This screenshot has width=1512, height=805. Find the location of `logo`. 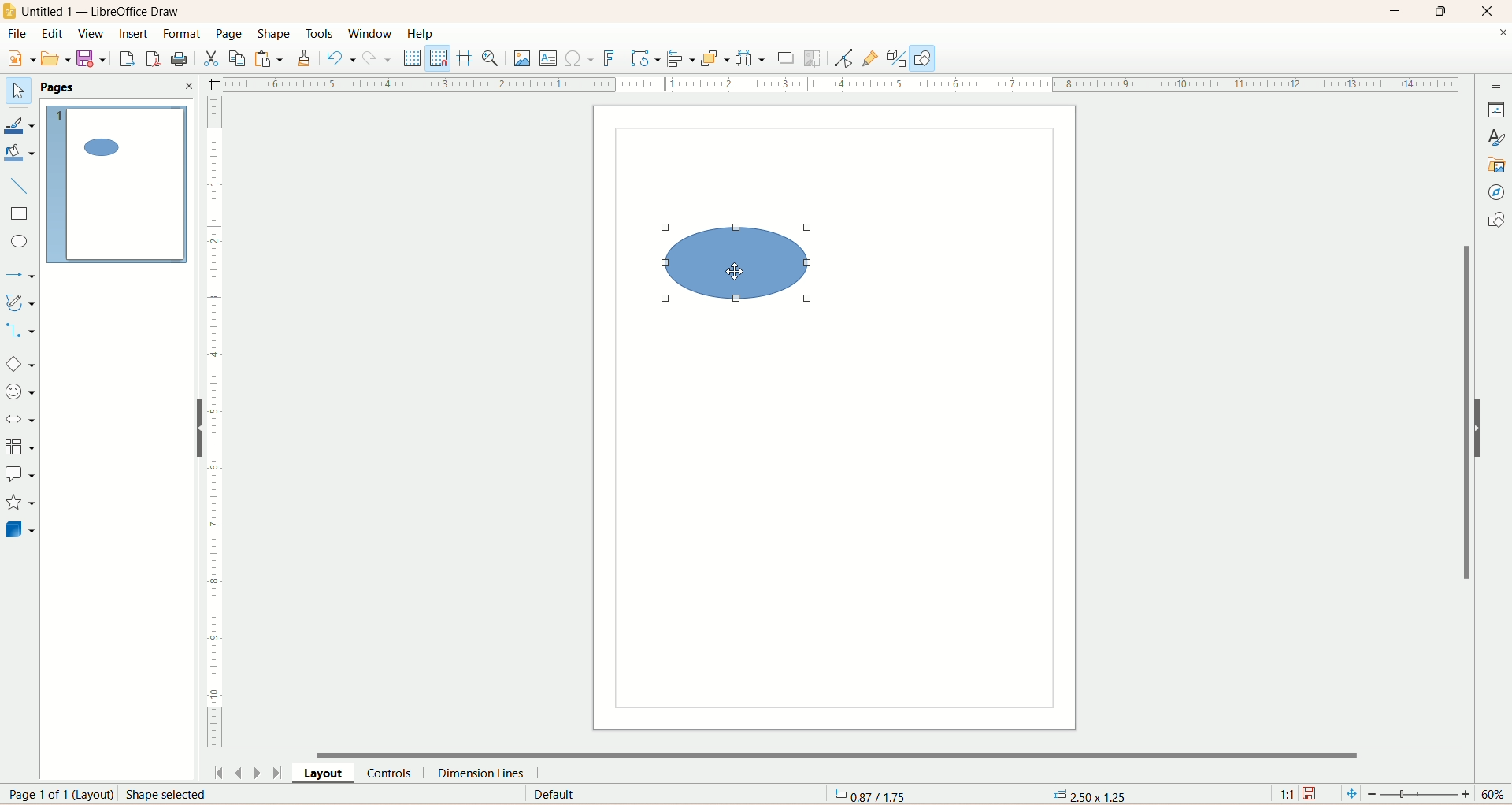

logo is located at coordinates (10, 10).